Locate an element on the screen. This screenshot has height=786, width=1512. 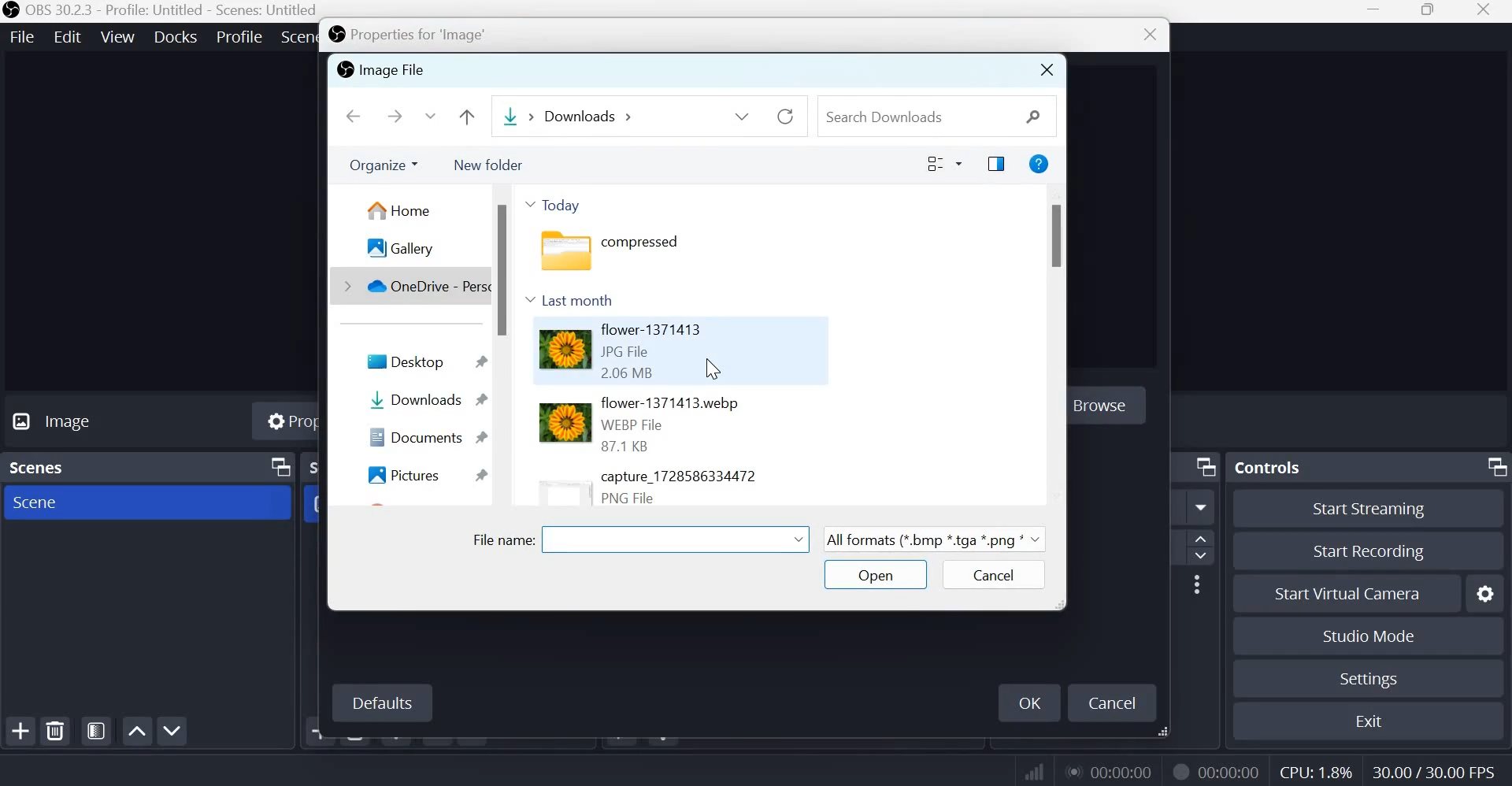
edit is located at coordinates (68, 35).